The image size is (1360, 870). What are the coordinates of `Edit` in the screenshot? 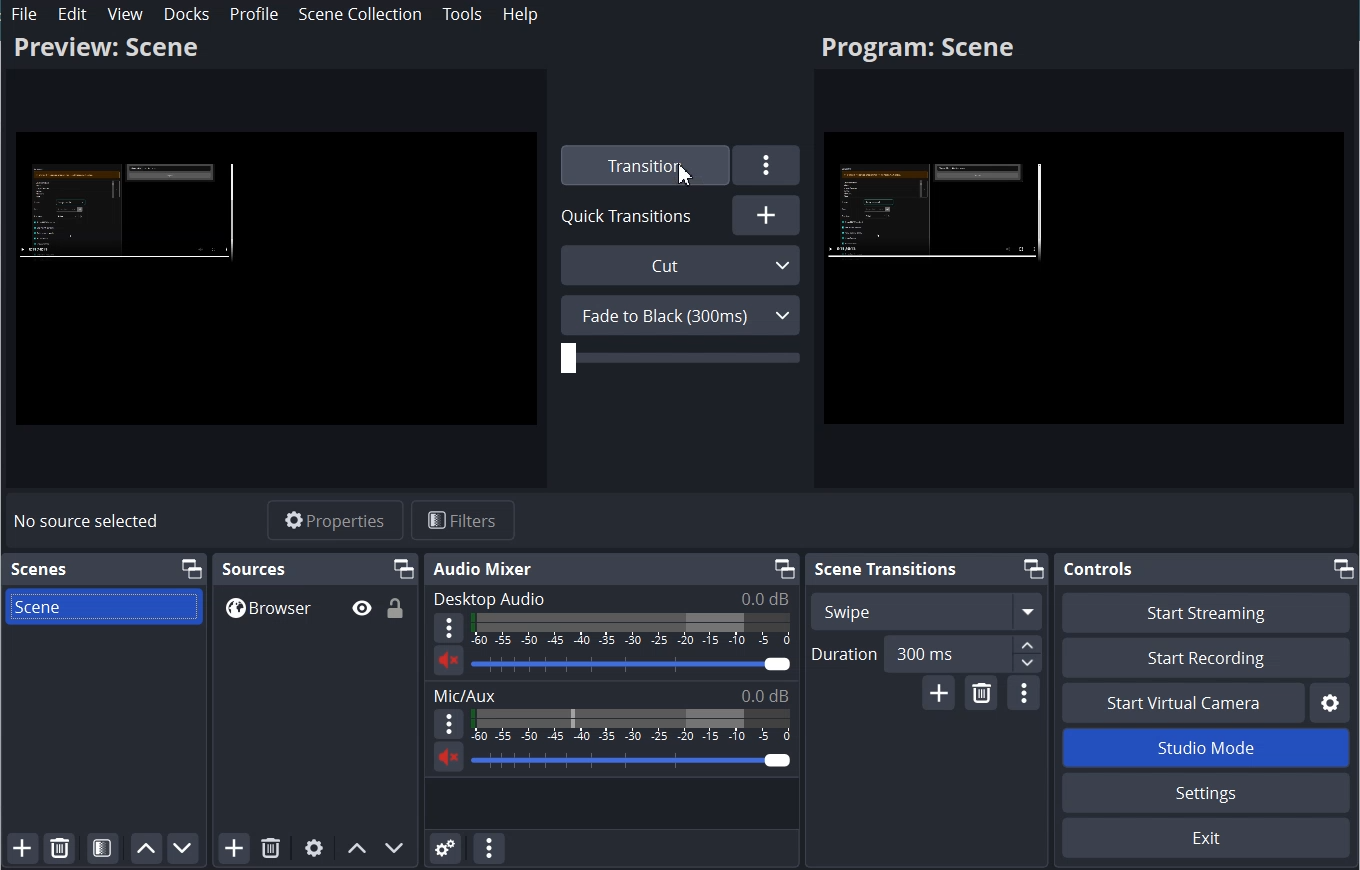 It's located at (73, 14).